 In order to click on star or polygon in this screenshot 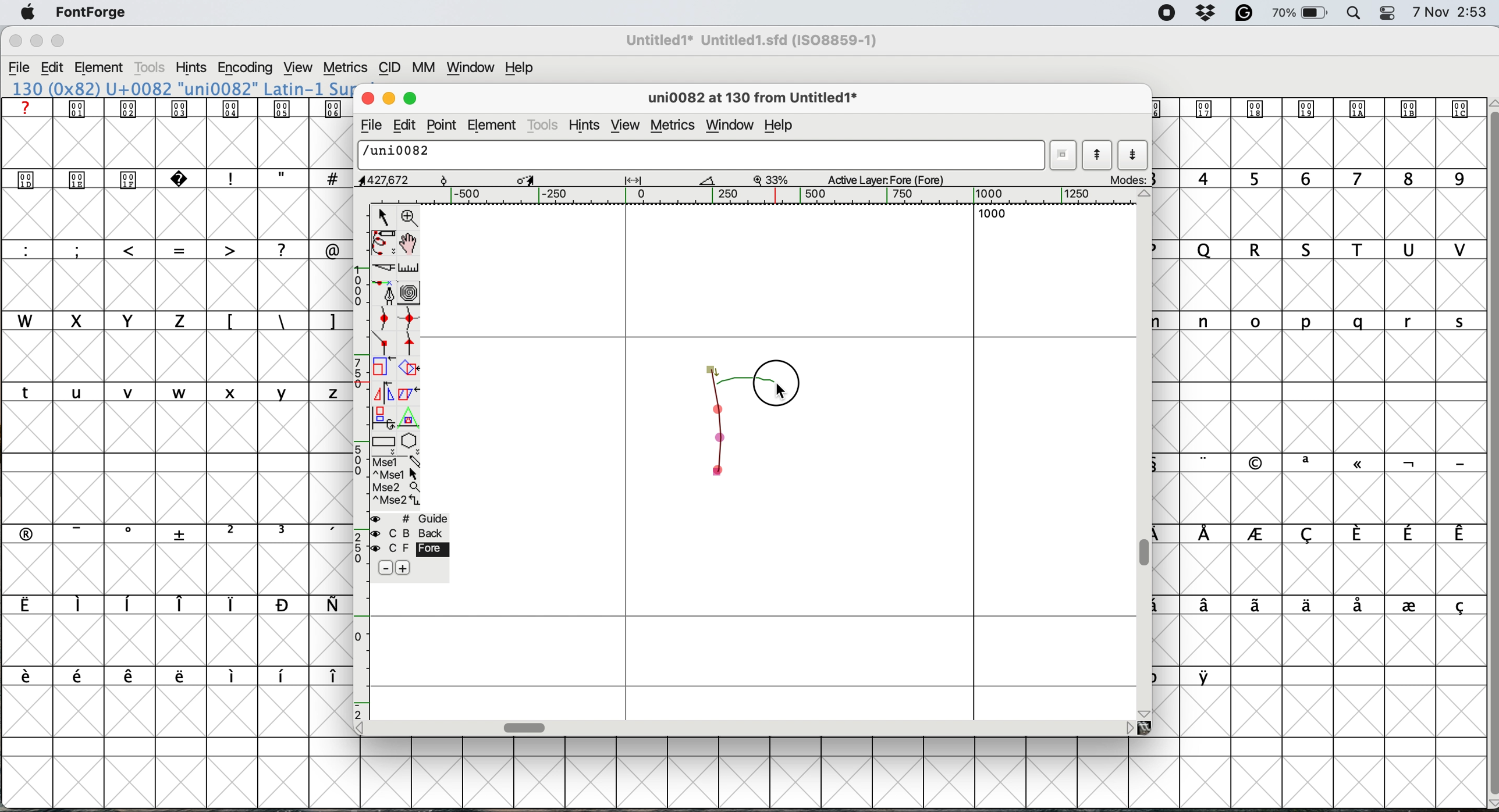, I will do `click(409, 443)`.